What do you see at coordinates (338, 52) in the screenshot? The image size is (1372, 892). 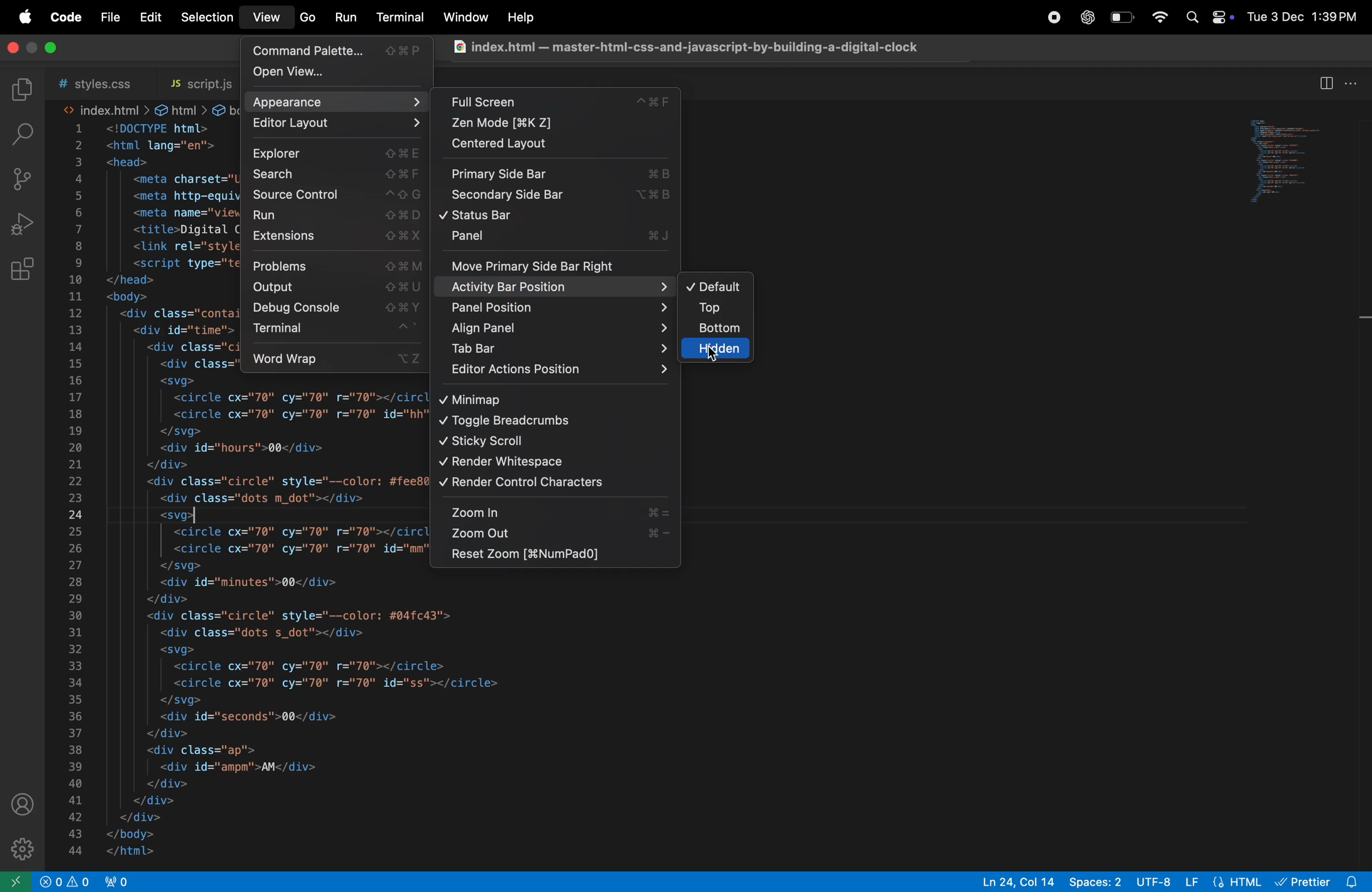 I see `command pallete` at bounding box center [338, 52].